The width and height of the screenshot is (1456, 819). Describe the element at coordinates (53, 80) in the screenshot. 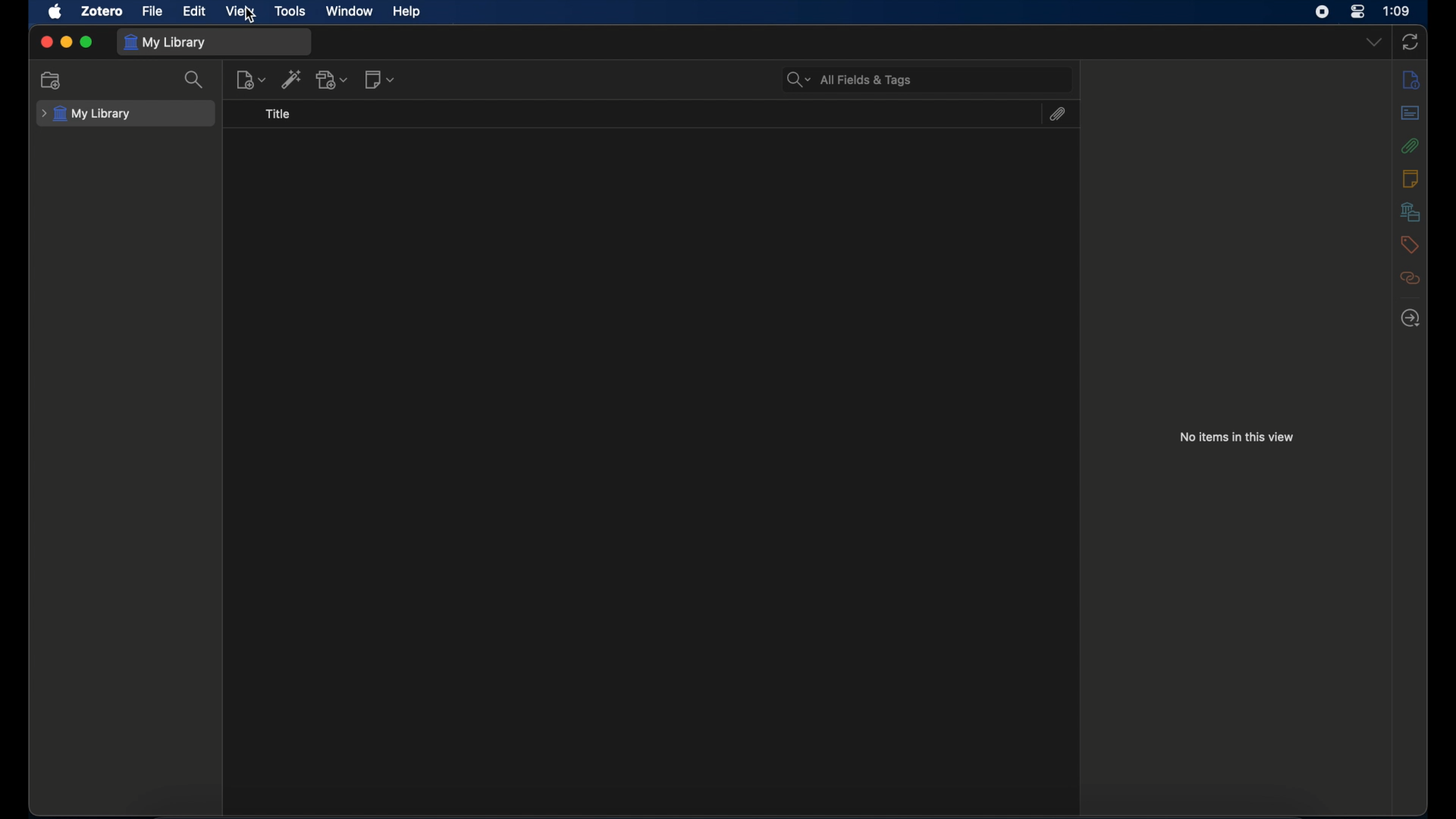

I see `new collections` at that location.